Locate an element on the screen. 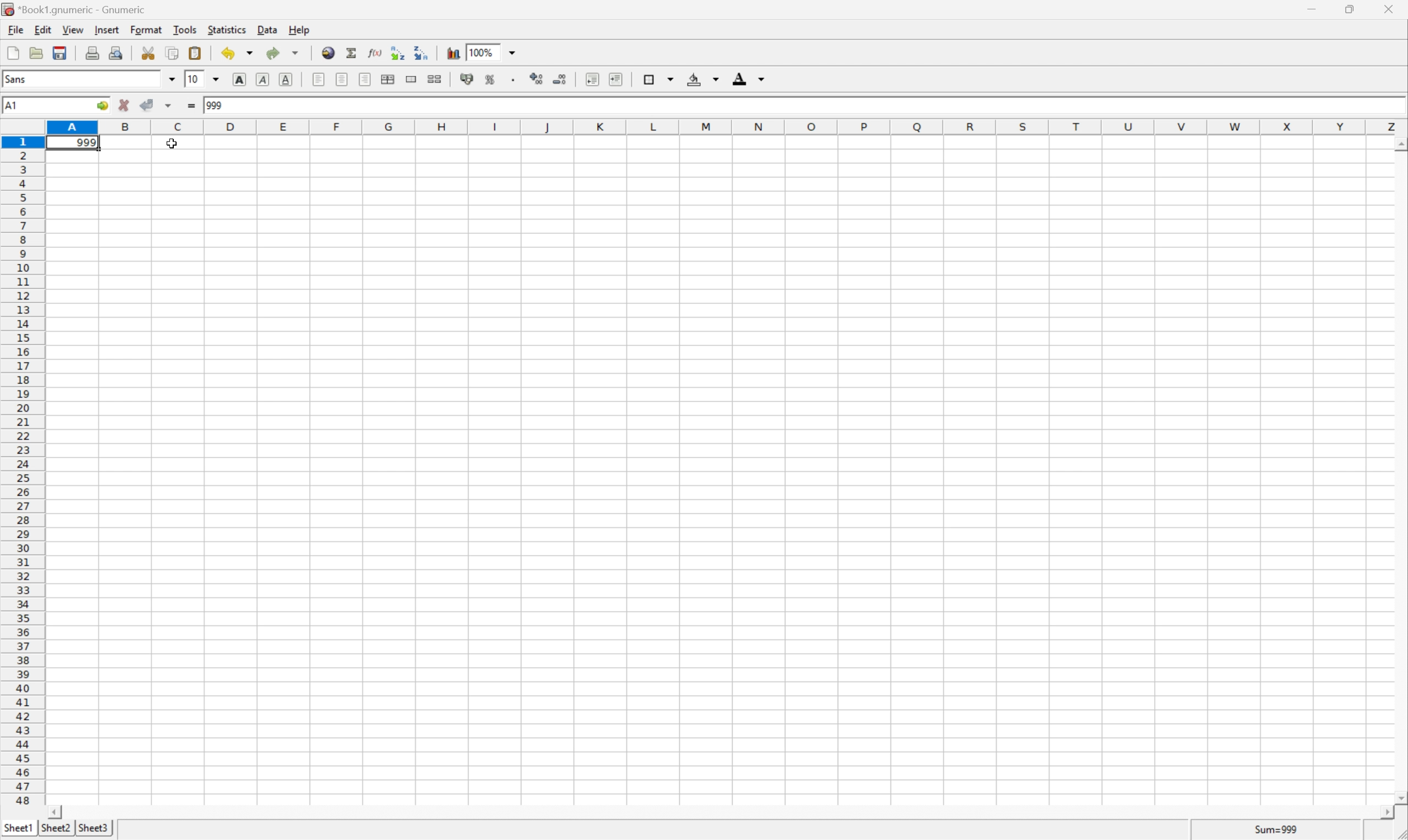 The image size is (1408, 840). restore down is located at coordinates (1349, 11).